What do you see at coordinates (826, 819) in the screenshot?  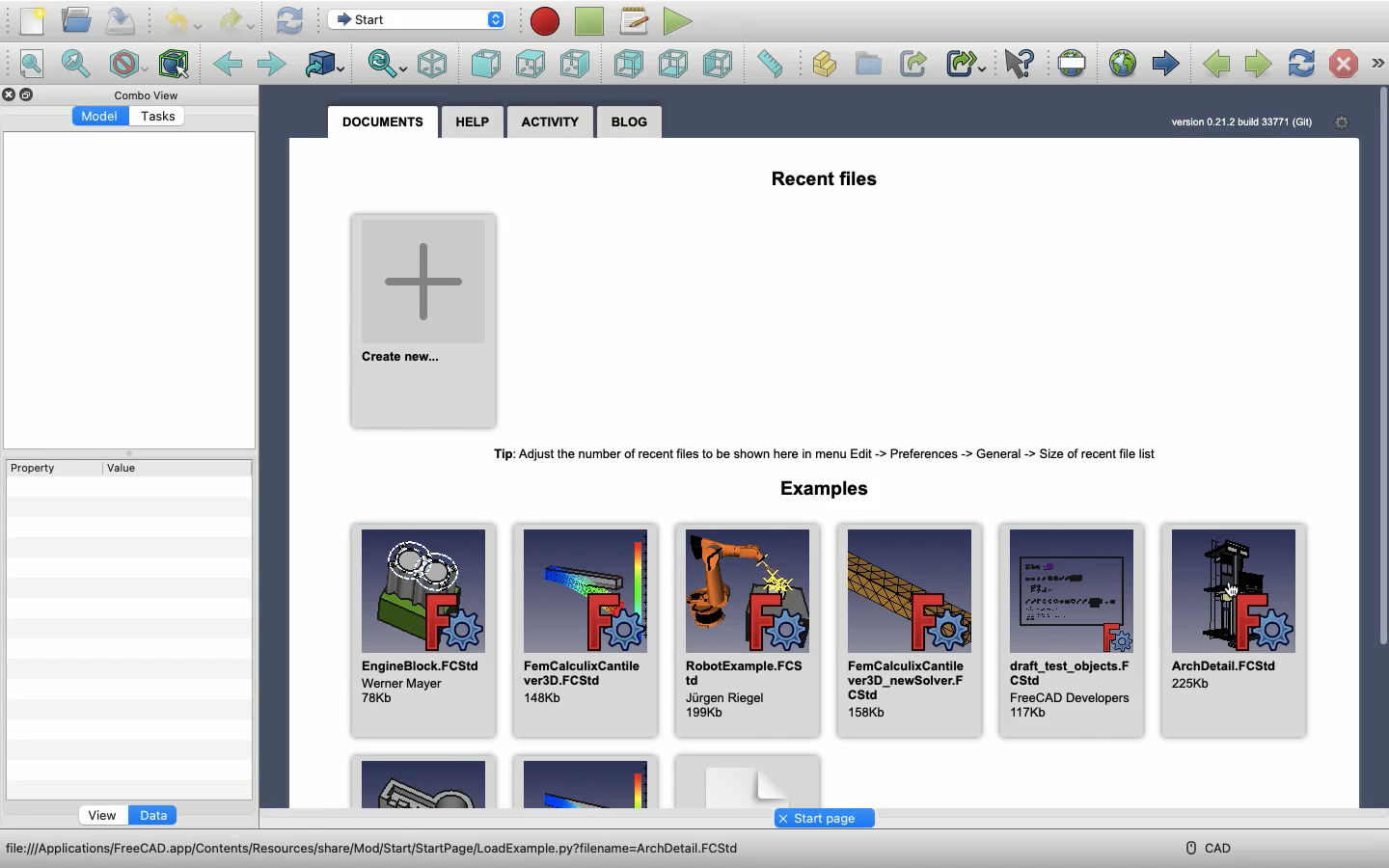 I see `Start page` at bounding box center [826, 819].